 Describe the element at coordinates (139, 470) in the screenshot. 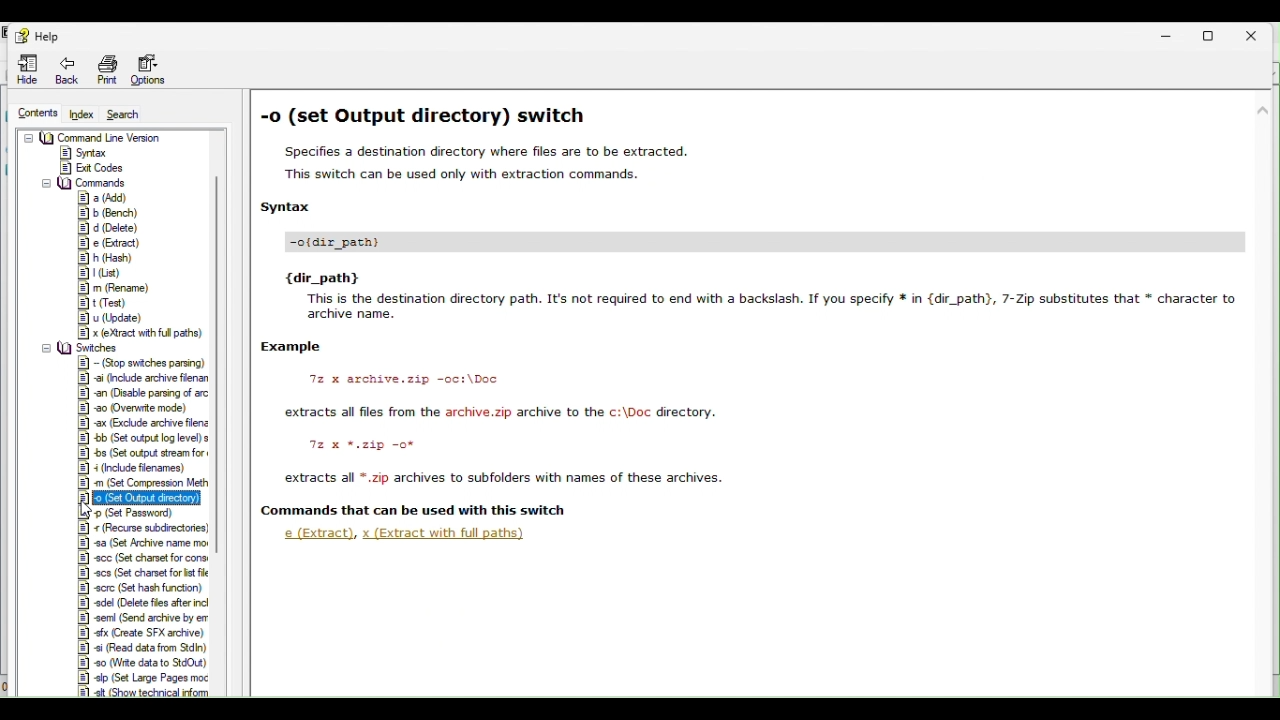

I see `Include filenames` at that location.